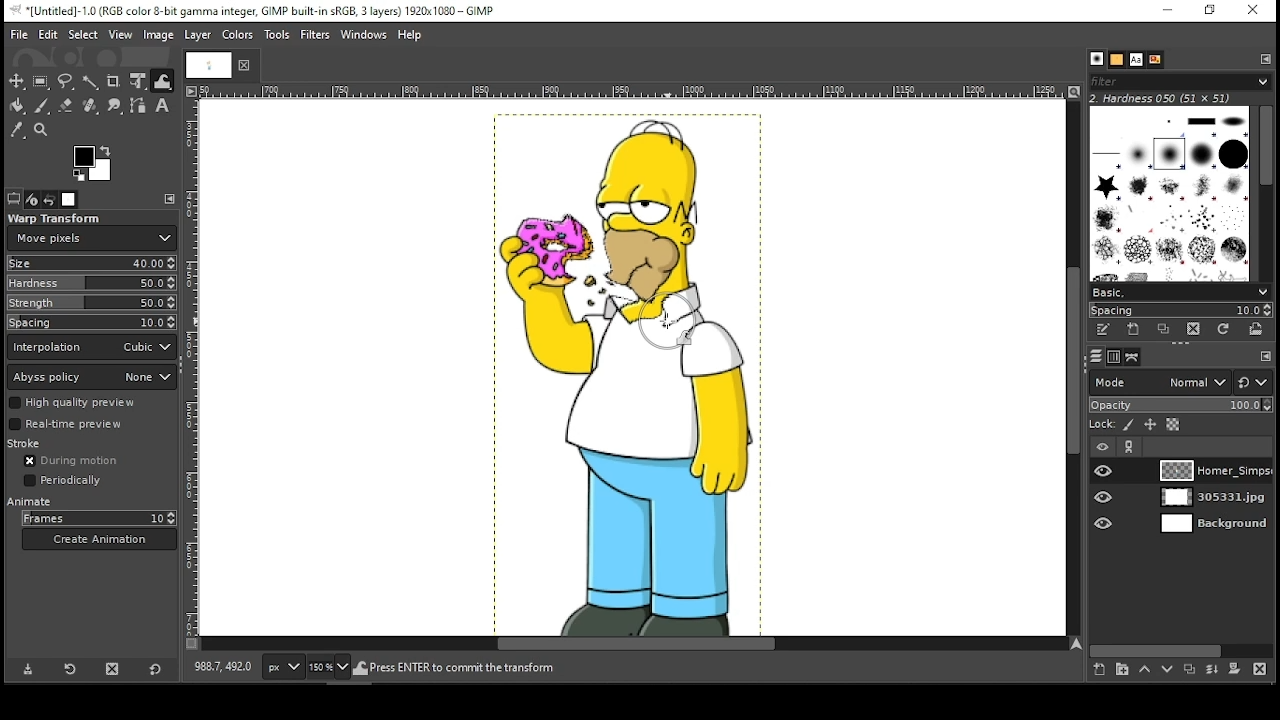 The height and width of the screenshot is (720, 1280). I want to click on merge layer, so click(1212, 669).